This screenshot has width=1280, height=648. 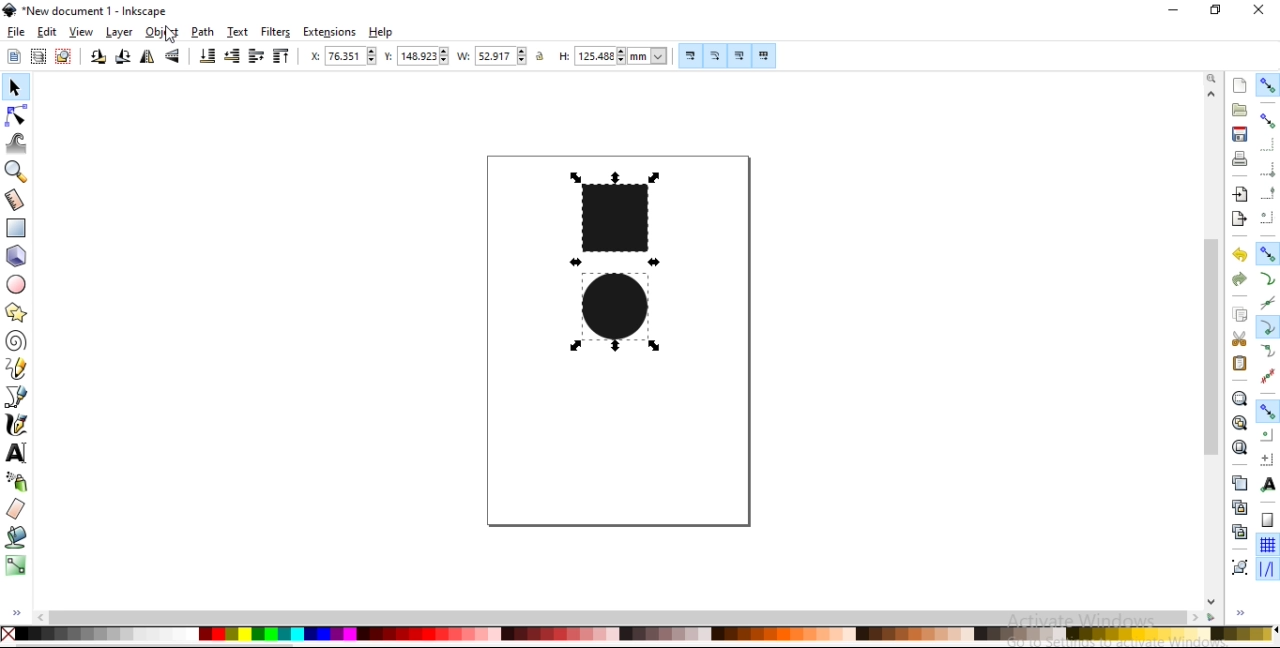 What do you see at coordinates (282, 57) in the screenshot?
I see `raise selection to top` at bounding box center [282, 57].